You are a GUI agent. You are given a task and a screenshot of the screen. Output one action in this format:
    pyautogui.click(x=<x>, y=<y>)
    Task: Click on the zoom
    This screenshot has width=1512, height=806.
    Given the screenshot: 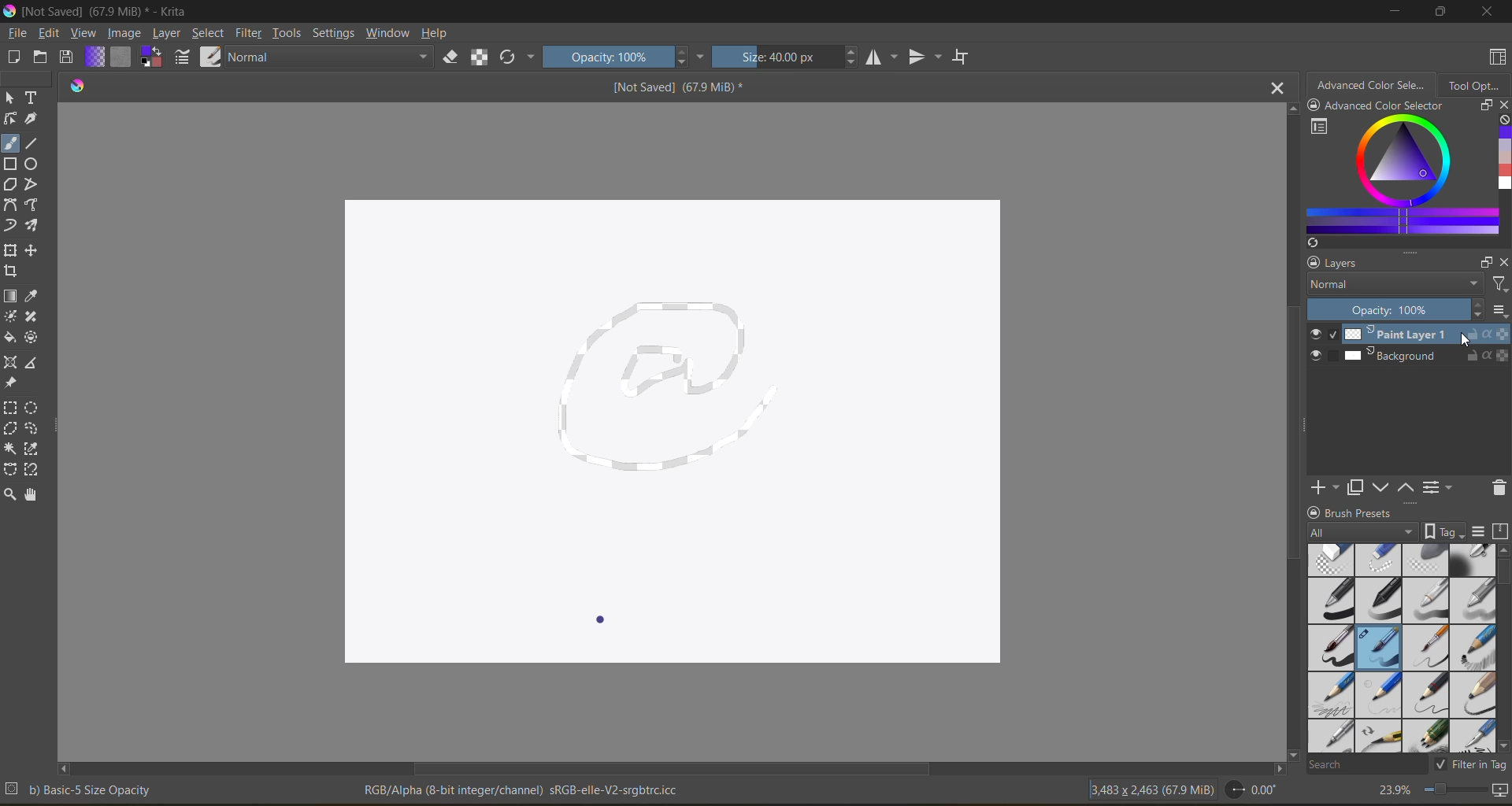 What is the action you would take?
    pyautogui.click(x=1466, y=791)
    